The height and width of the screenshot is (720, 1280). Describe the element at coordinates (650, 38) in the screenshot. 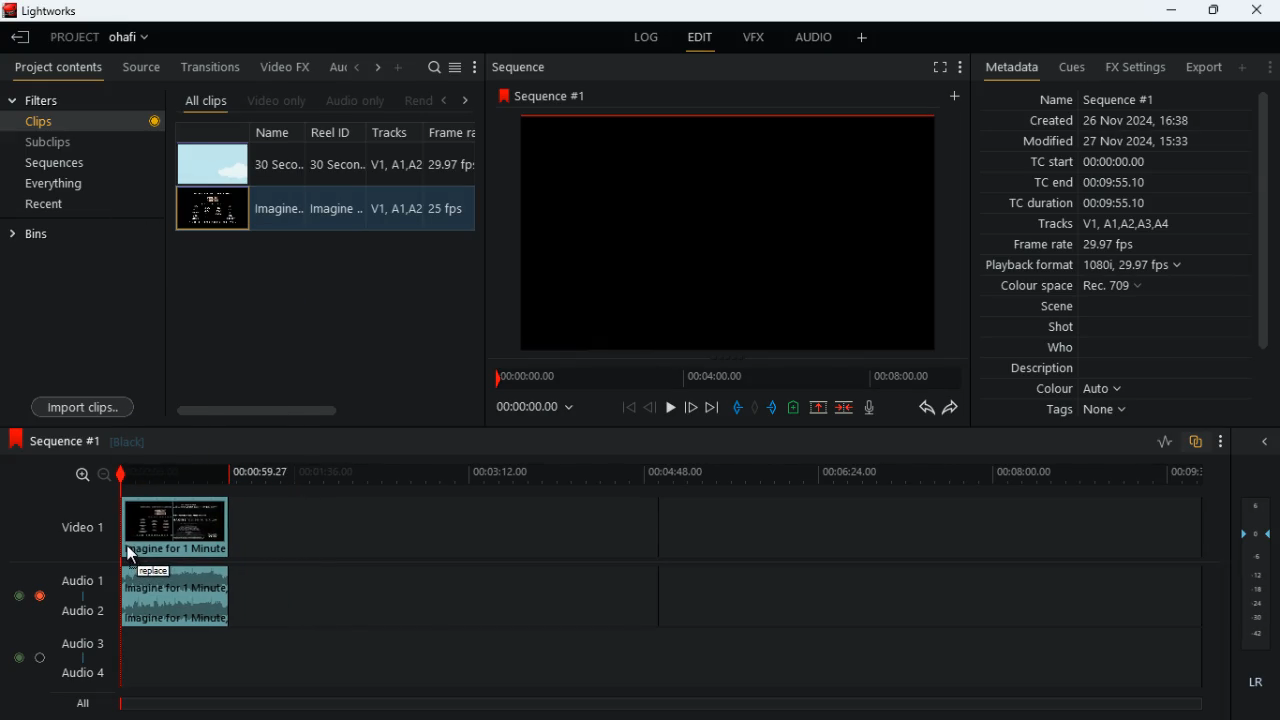

I see `log` at that location.